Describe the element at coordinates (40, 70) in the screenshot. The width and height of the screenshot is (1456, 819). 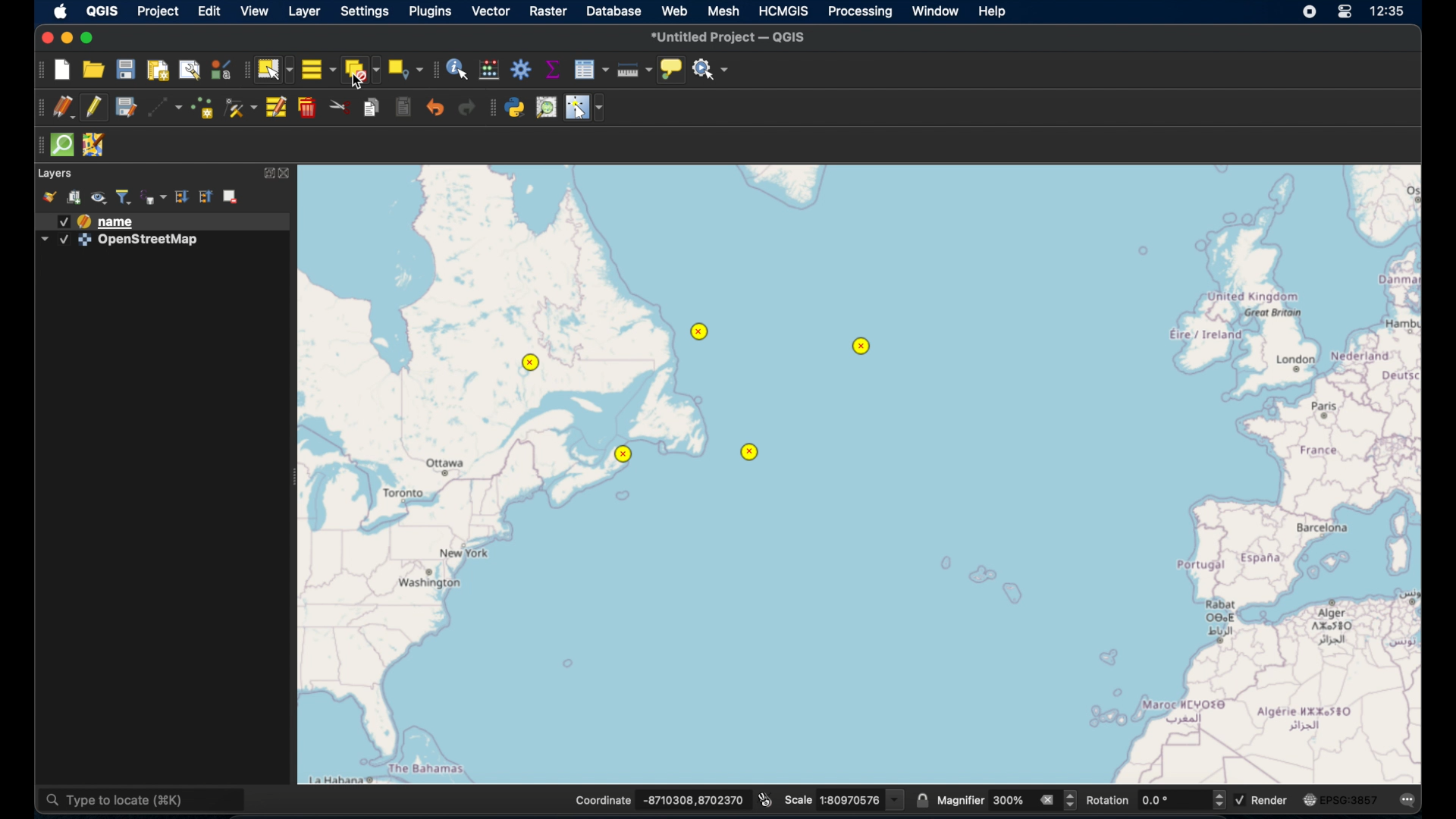
I see `project toolbar` at that location.